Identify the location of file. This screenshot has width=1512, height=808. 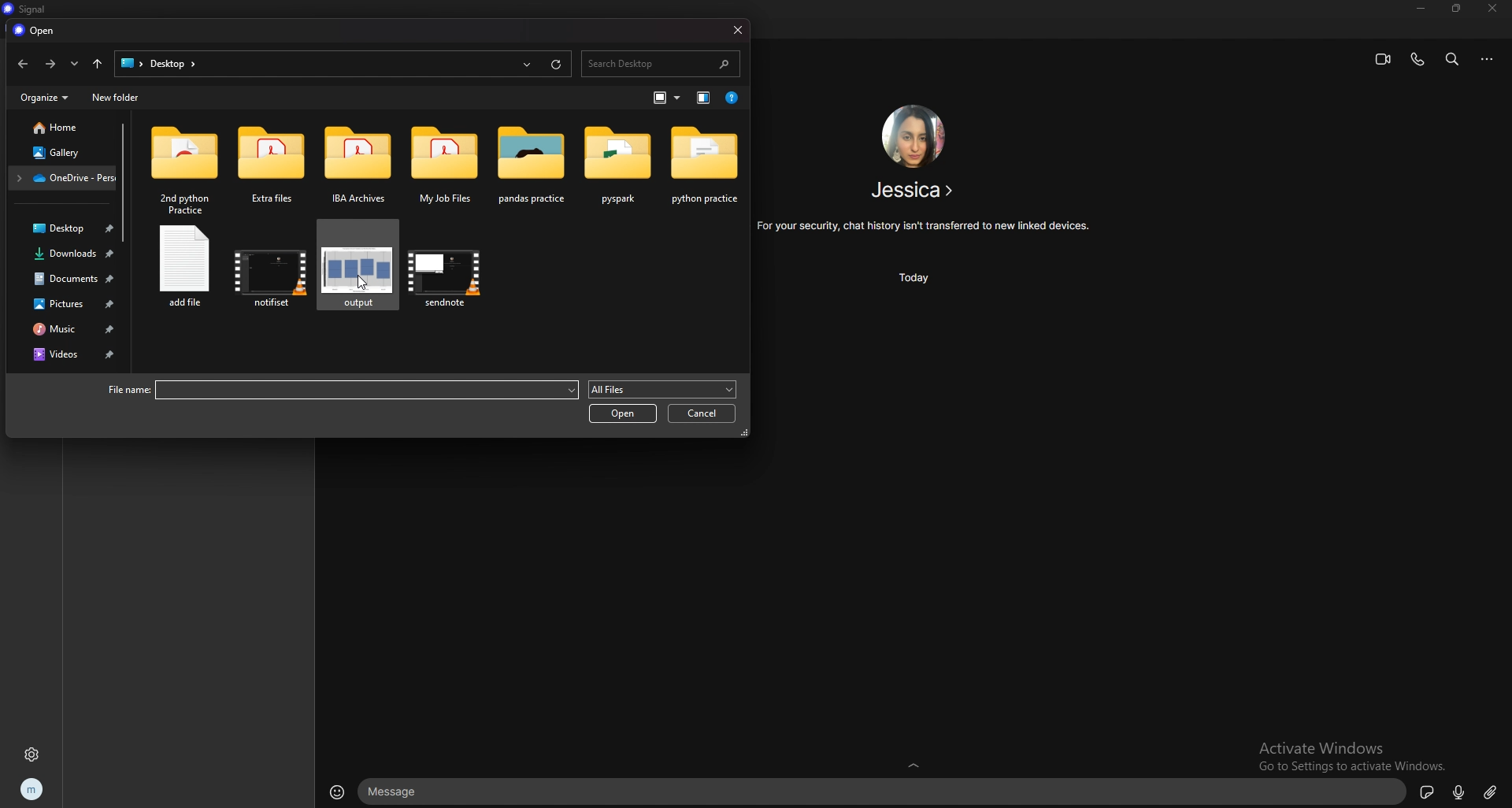
(187, 272).